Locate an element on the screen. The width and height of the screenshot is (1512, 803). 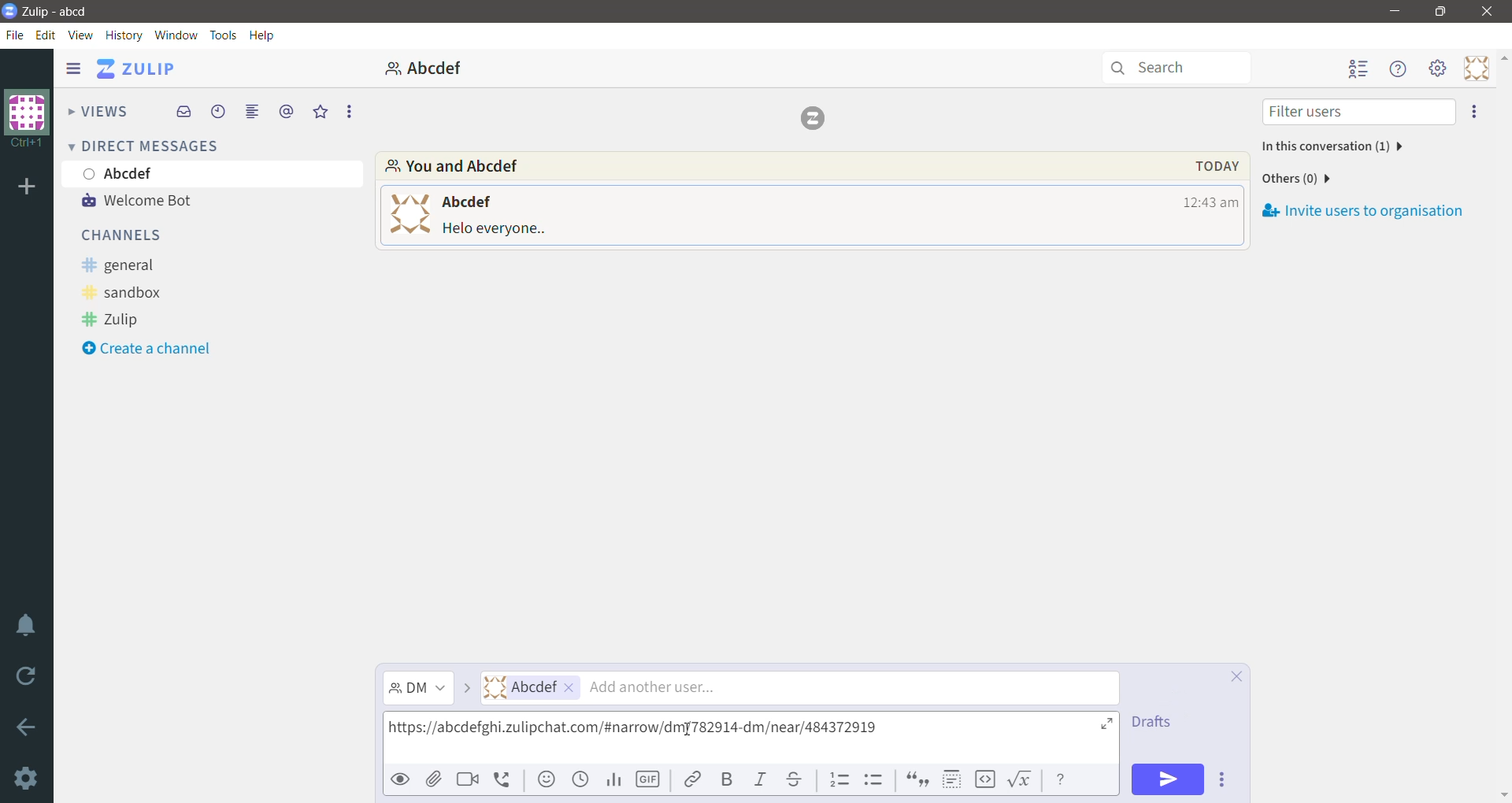
Invite users to organization is located at coordinates (1362, 210).